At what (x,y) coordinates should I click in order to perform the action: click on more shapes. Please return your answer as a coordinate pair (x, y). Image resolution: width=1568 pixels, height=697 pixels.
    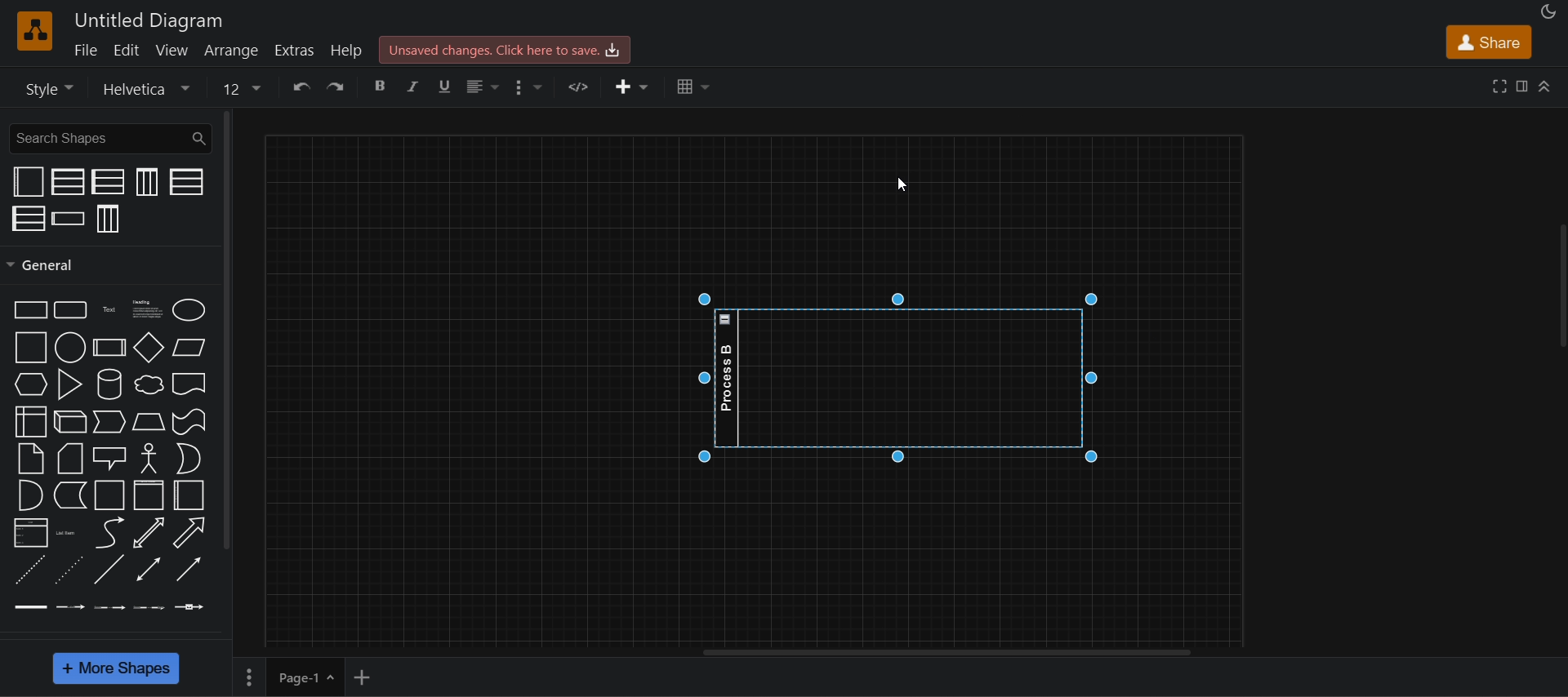
    Looking at the image, I should click on (118, 669).